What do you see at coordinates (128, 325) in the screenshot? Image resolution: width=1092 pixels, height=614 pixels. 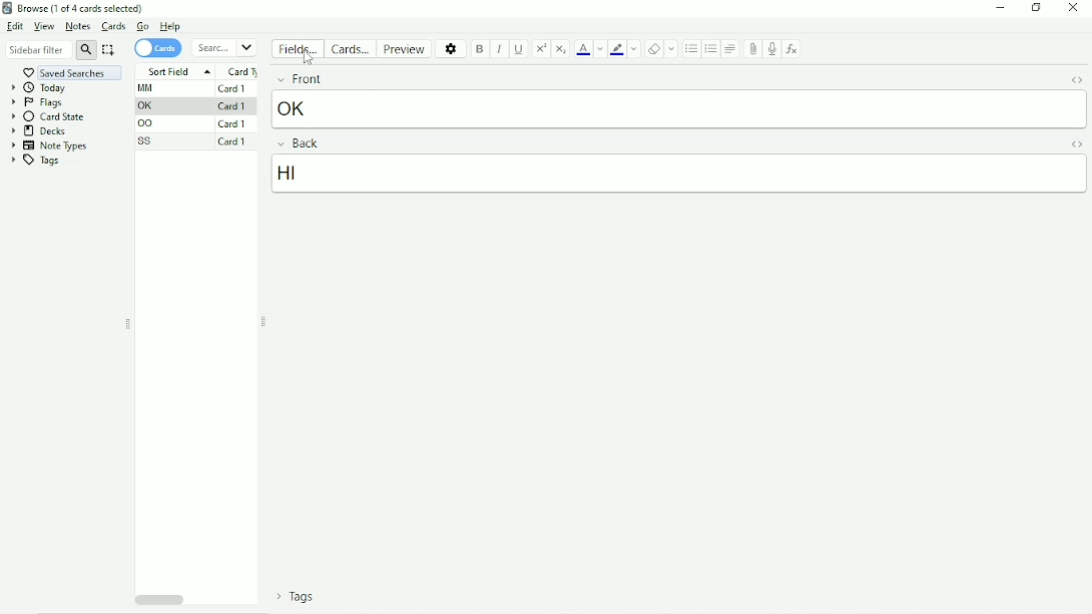 I see `Resize` at bounding box center [128, 325].